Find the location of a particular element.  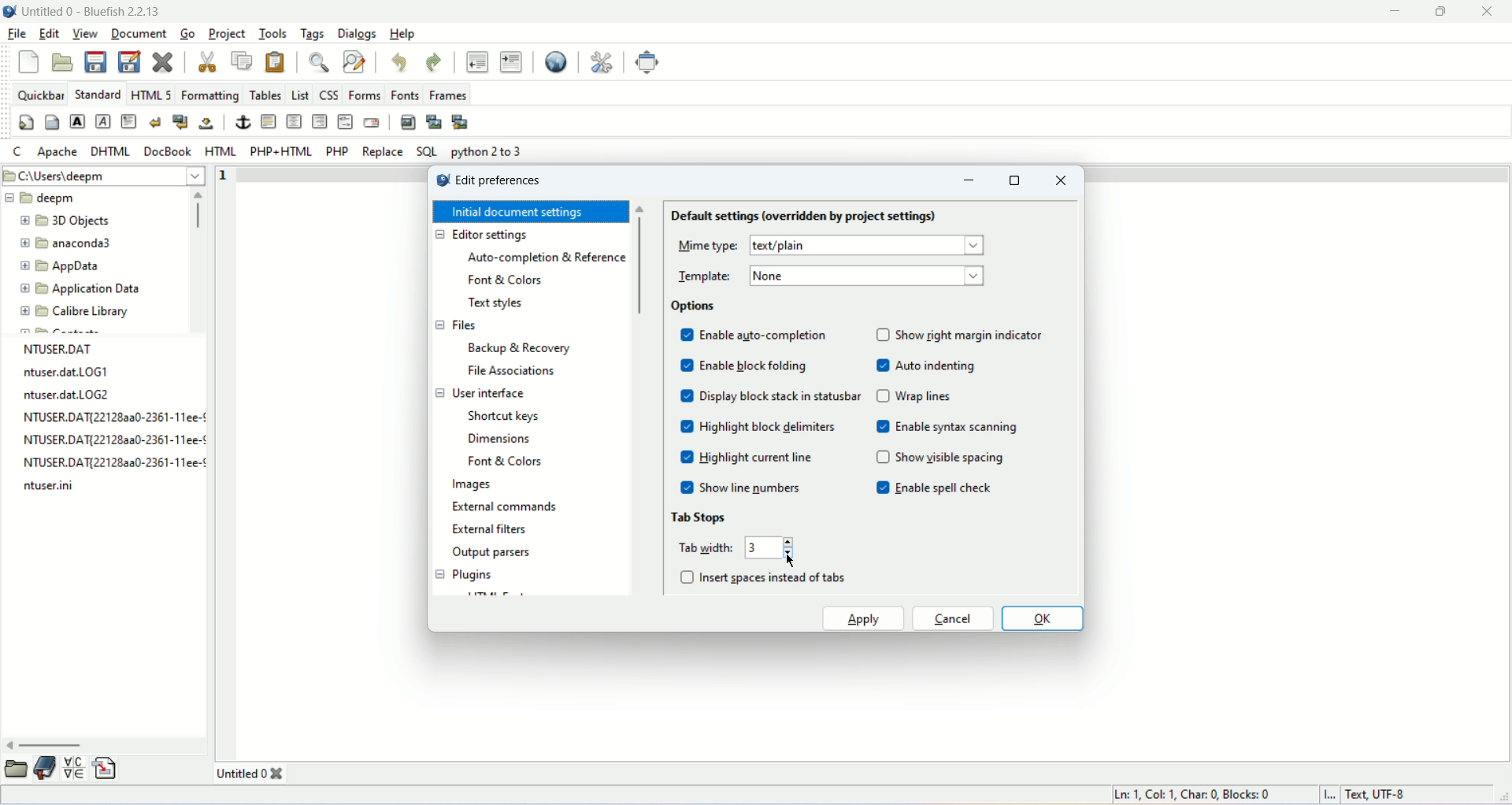

tools is located at coordinates (273, 33).